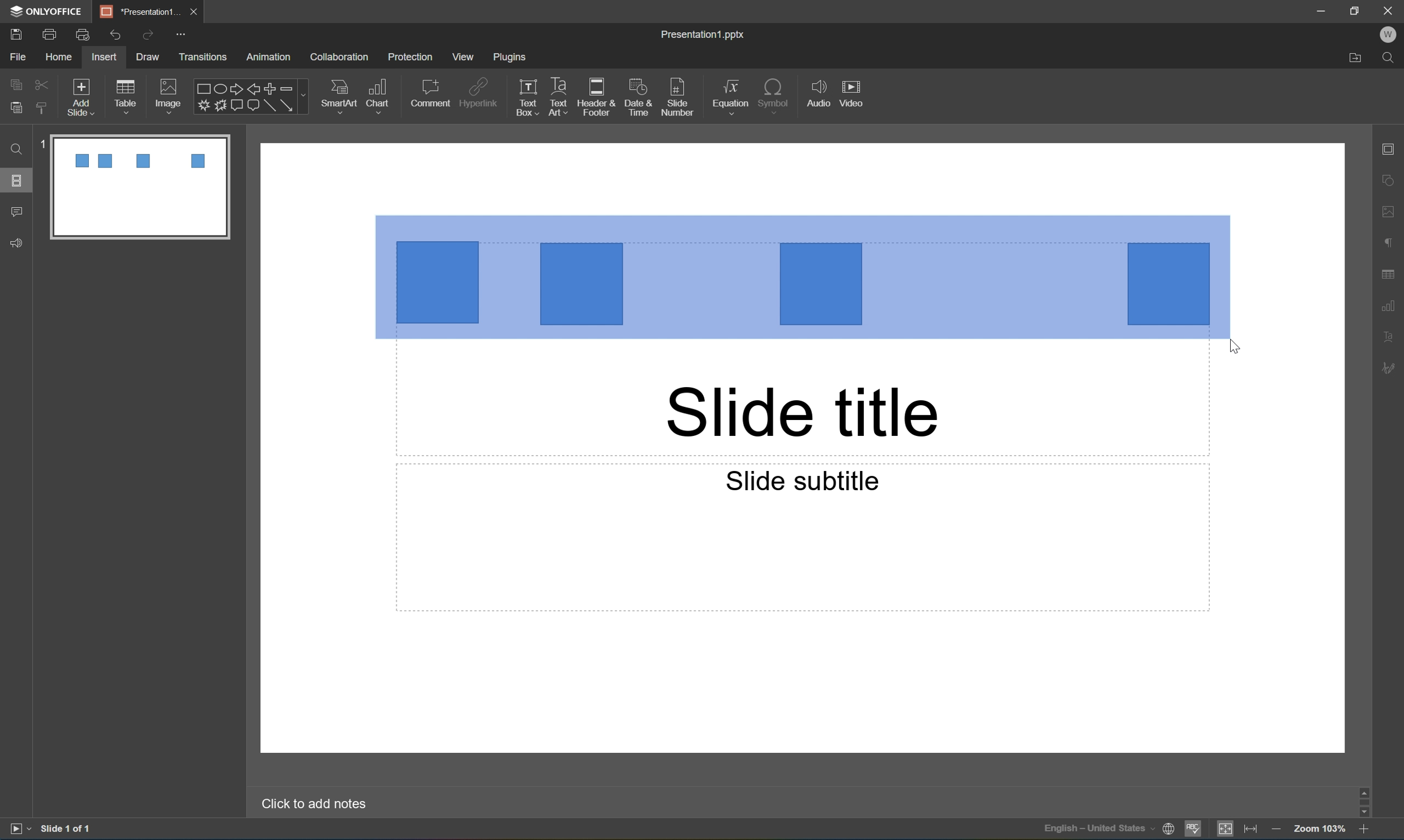  What do you see at coordinates (1107, 831) in the screenshot?
I see `set document language` at bounding box center [1107, 831].